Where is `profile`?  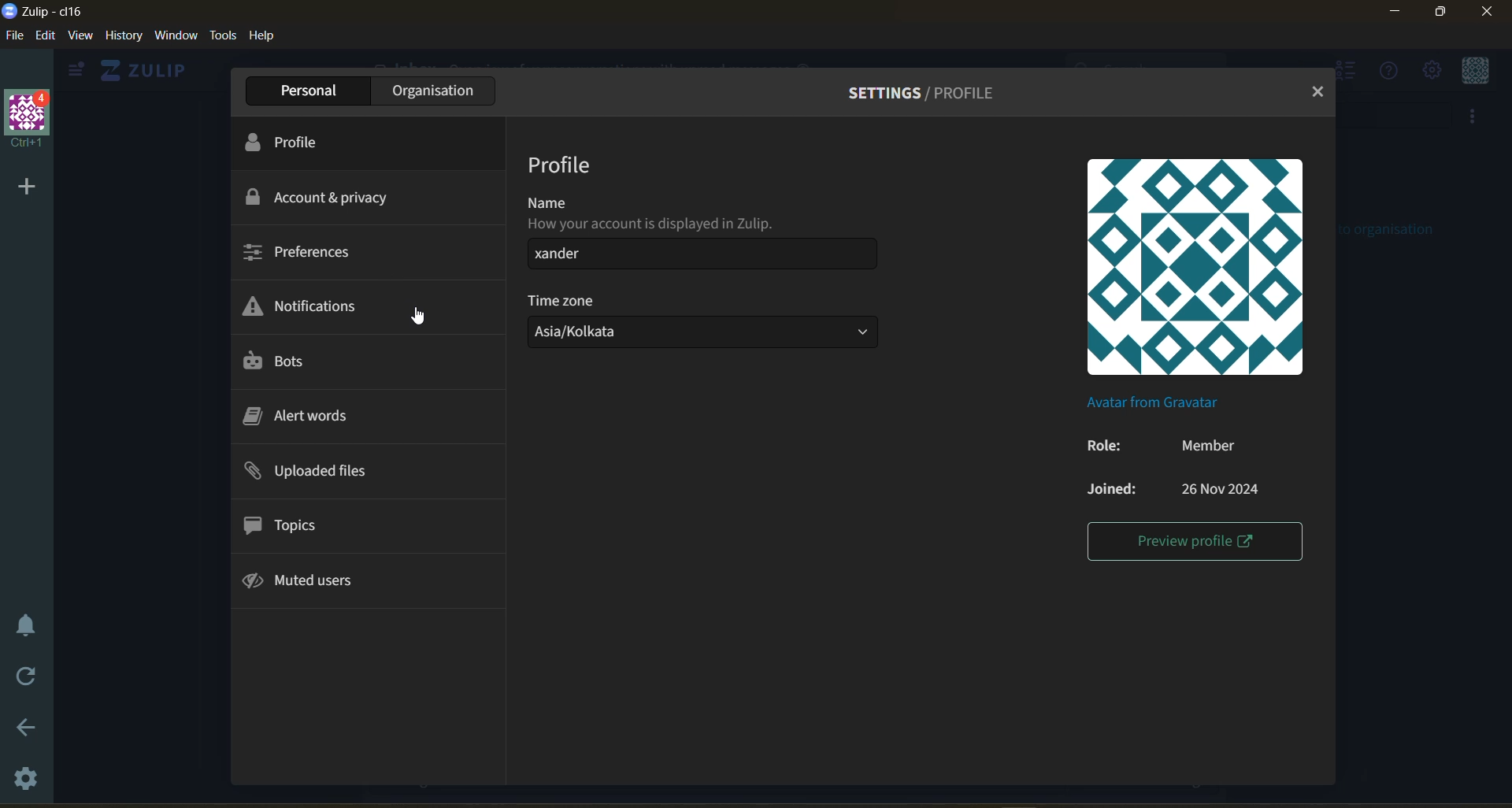
profile is located at coordinates (562, 165).